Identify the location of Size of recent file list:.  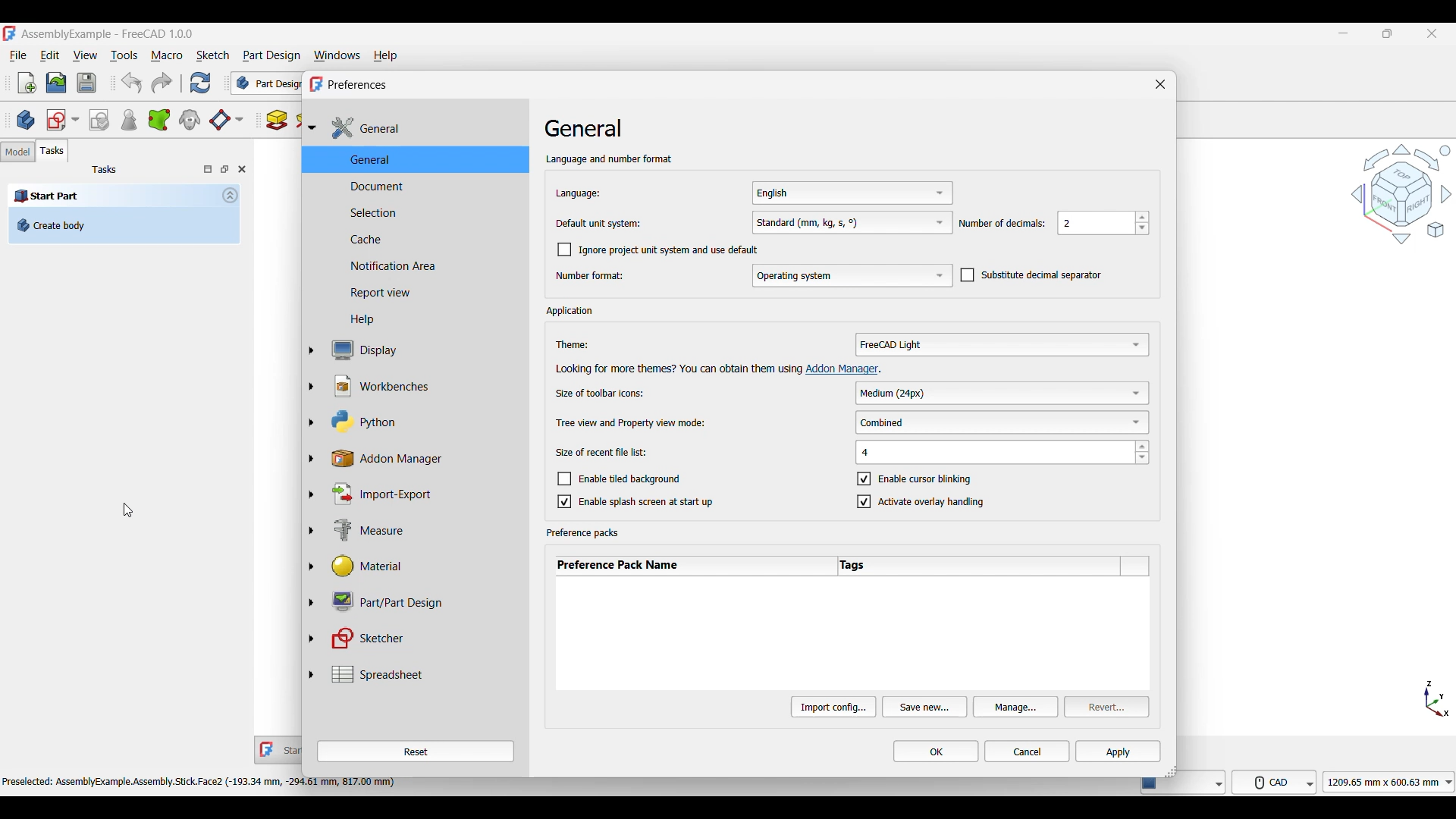
(601, 452).